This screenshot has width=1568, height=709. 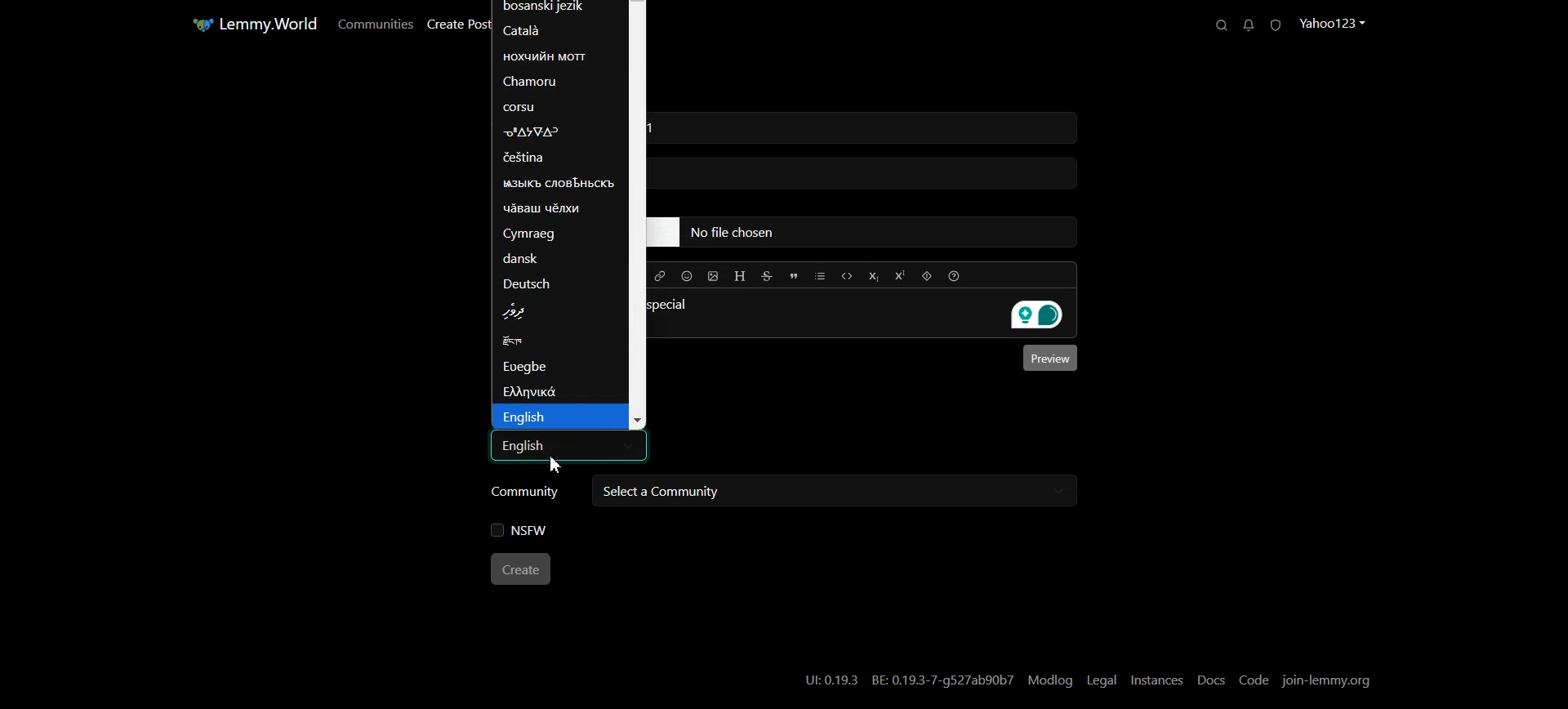 I want to click on Superscript, so click(x=900, y=275).